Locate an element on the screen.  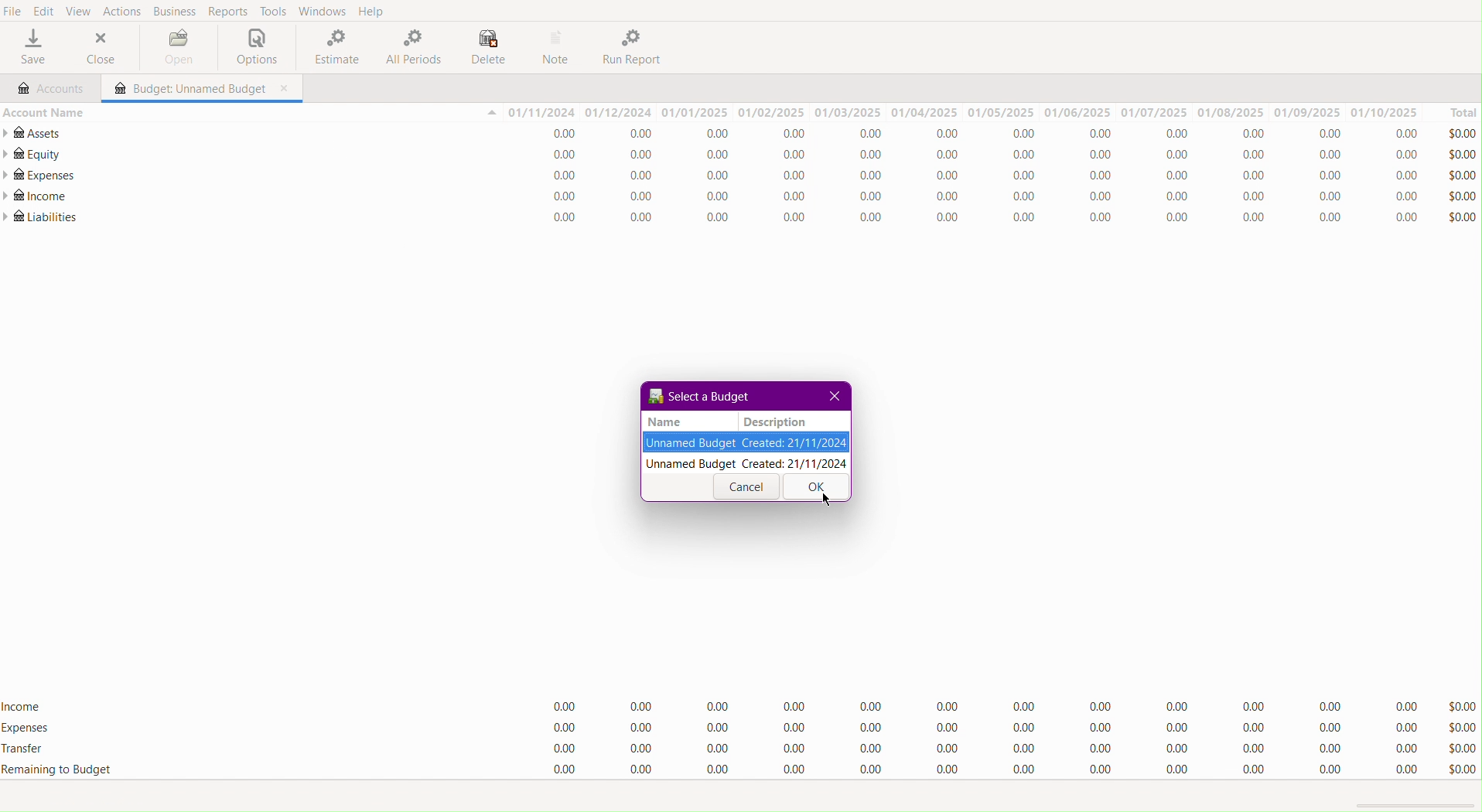
Close is located at coordinates (836, 397).